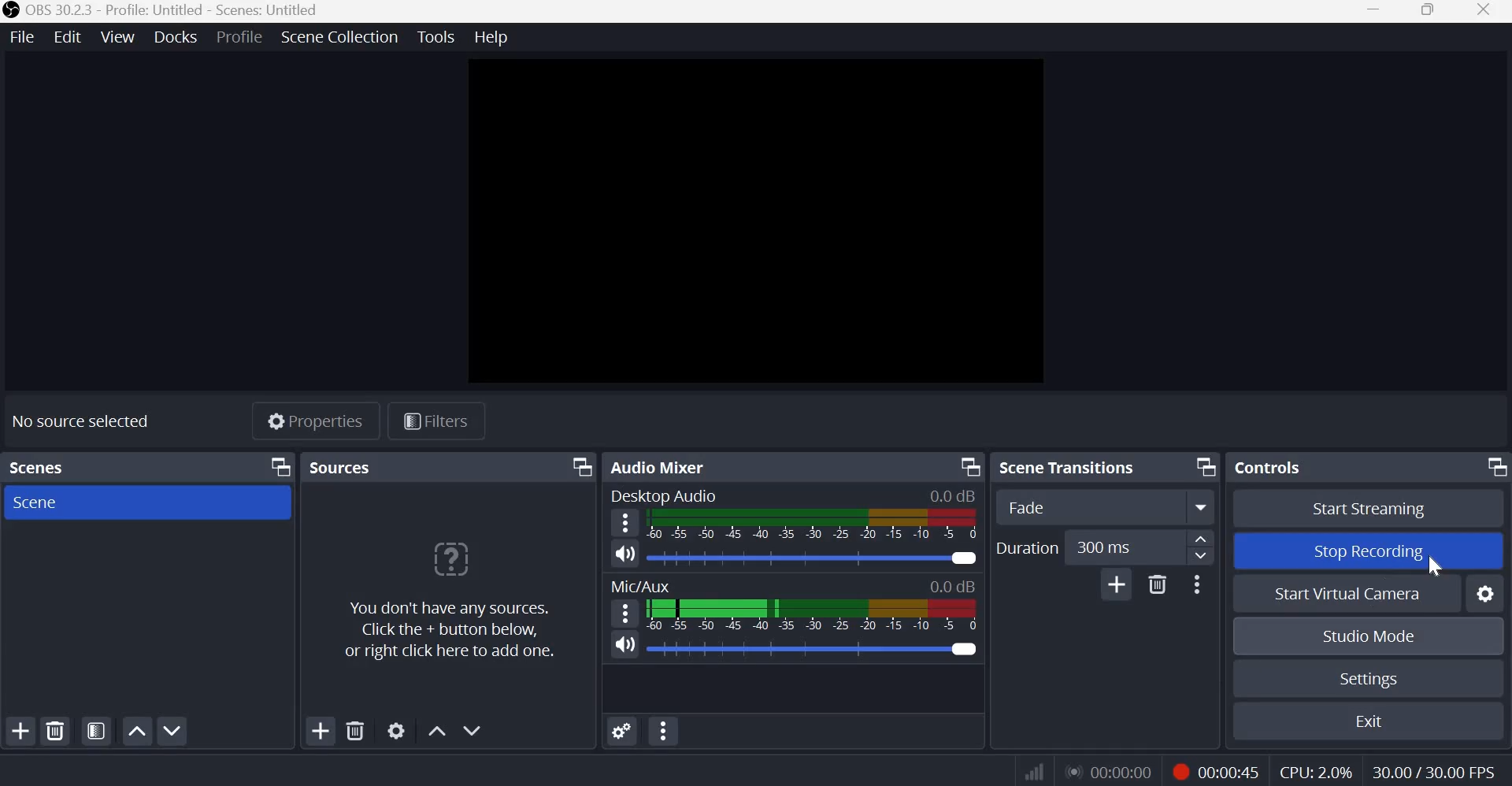 Image resolution: width=1512 pixels, height=786 pixels. Describe the element at coordinates (23, 37) in the screenshot. I see `File` at that location.